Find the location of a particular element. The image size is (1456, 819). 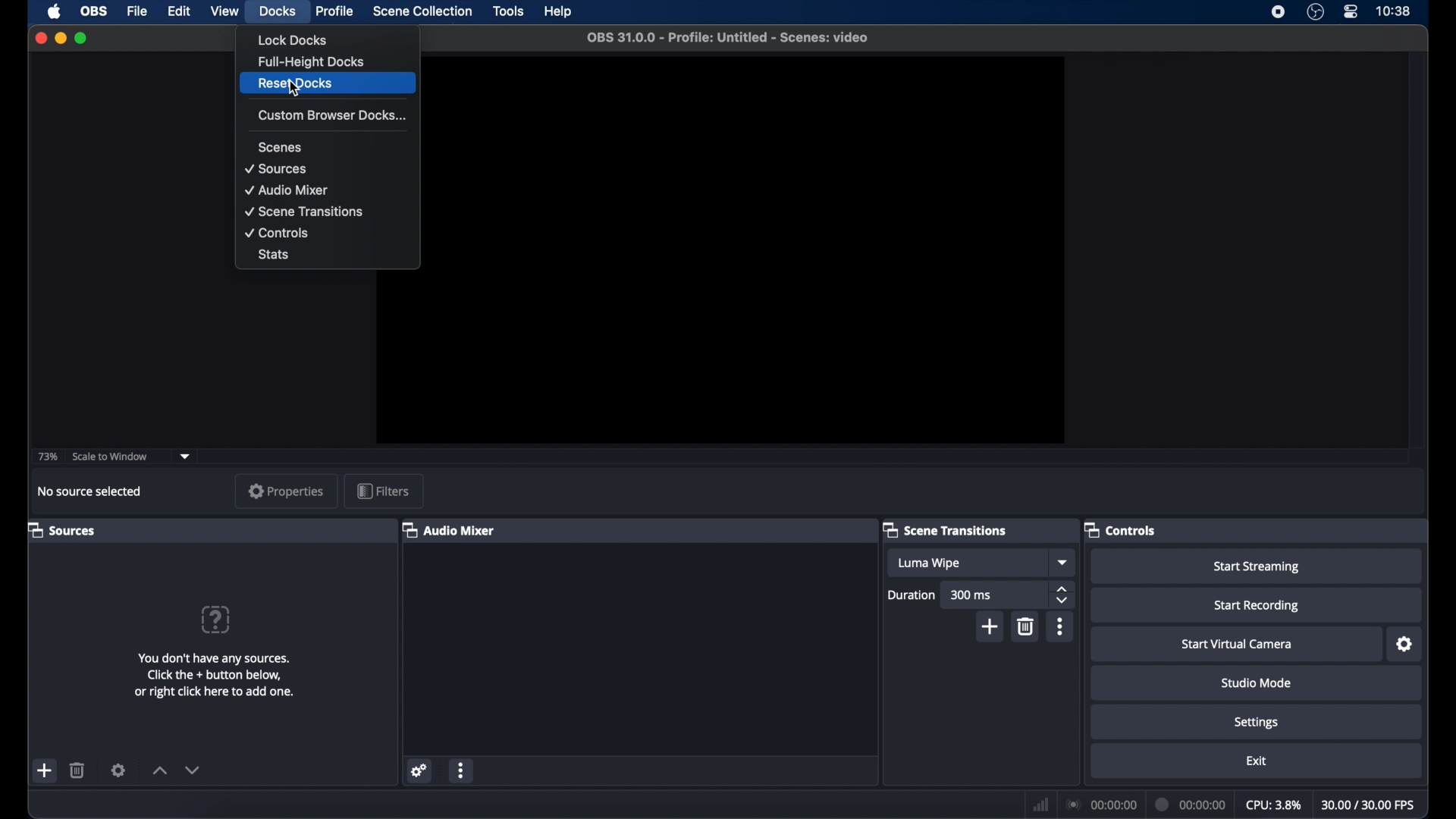

view is located at coordinates (224, 10).